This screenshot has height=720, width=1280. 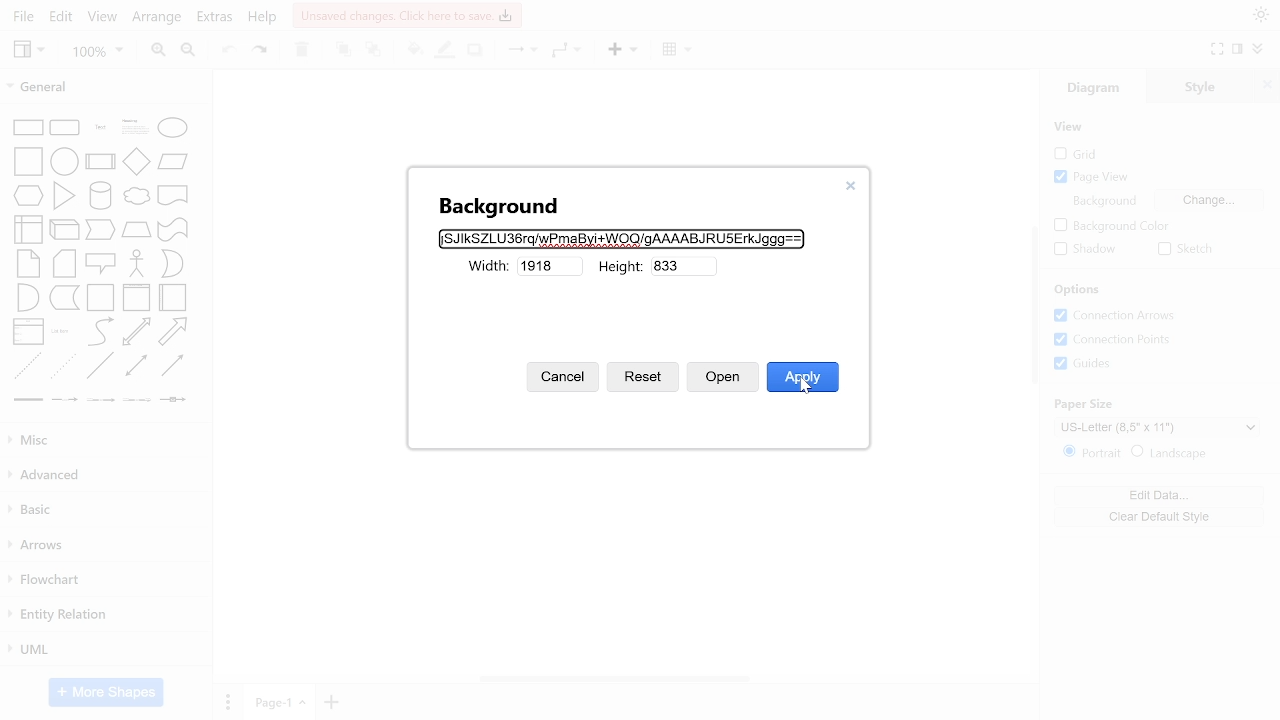 I want to click on general shapes, so click(x=63, y=263).